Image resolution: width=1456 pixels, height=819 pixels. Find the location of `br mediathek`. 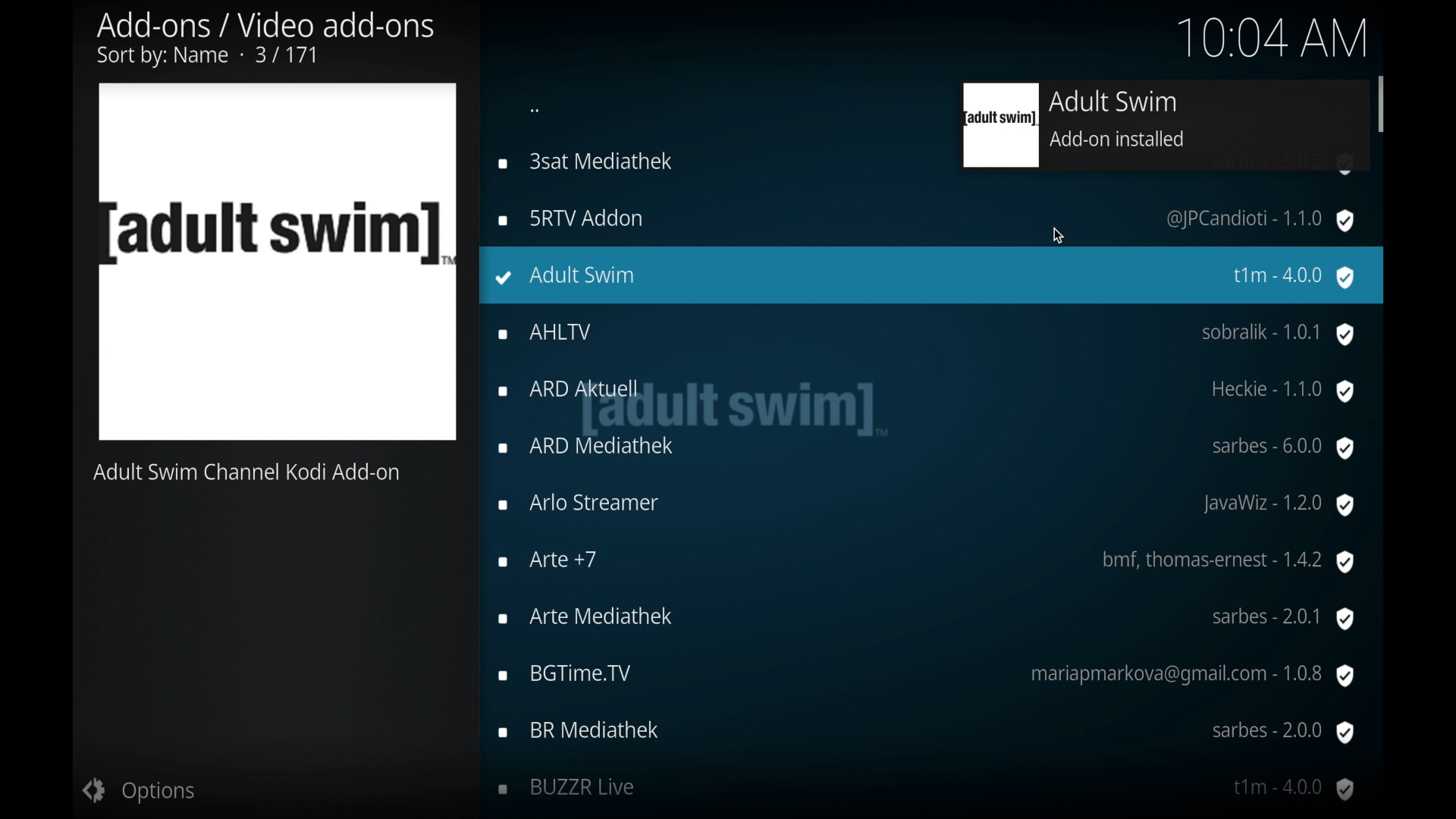

br mediathek is located at coordinates (928, 733).